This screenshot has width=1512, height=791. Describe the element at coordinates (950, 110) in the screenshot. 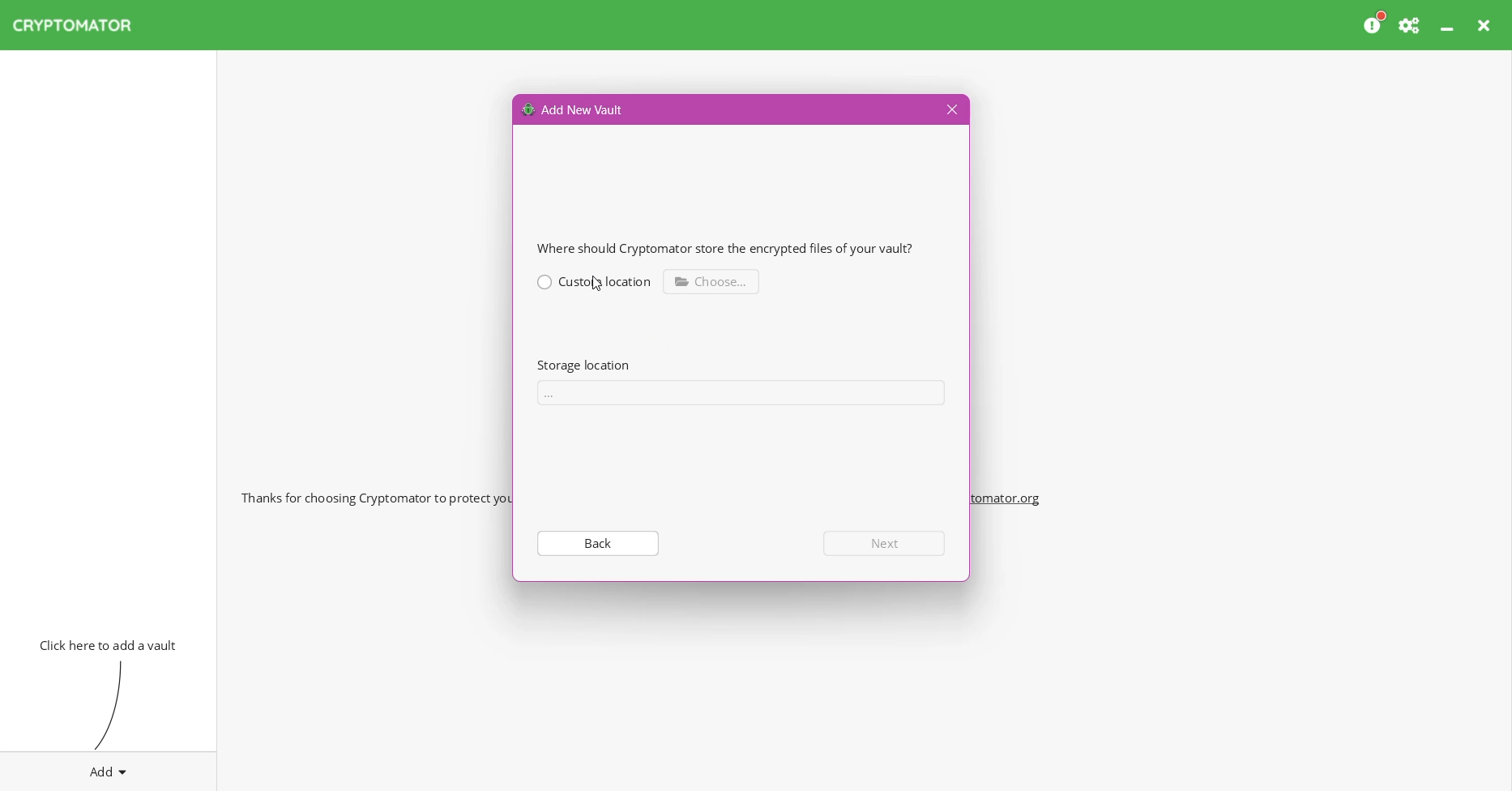

I see `Close` at that location.